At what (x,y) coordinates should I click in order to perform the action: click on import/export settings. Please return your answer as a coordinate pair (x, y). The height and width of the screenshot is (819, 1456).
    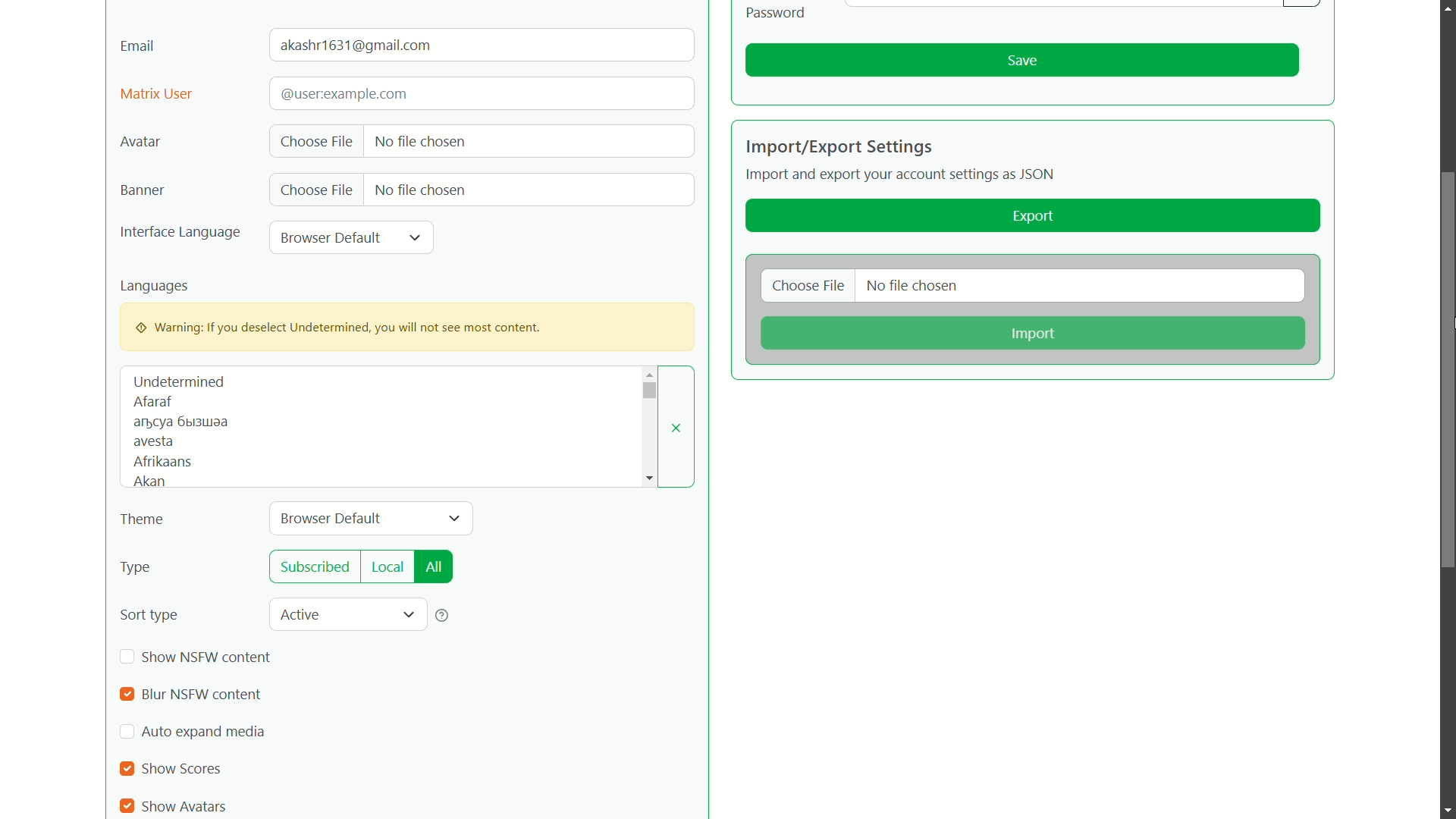
    Looking at the image, I should click on (839, 146).